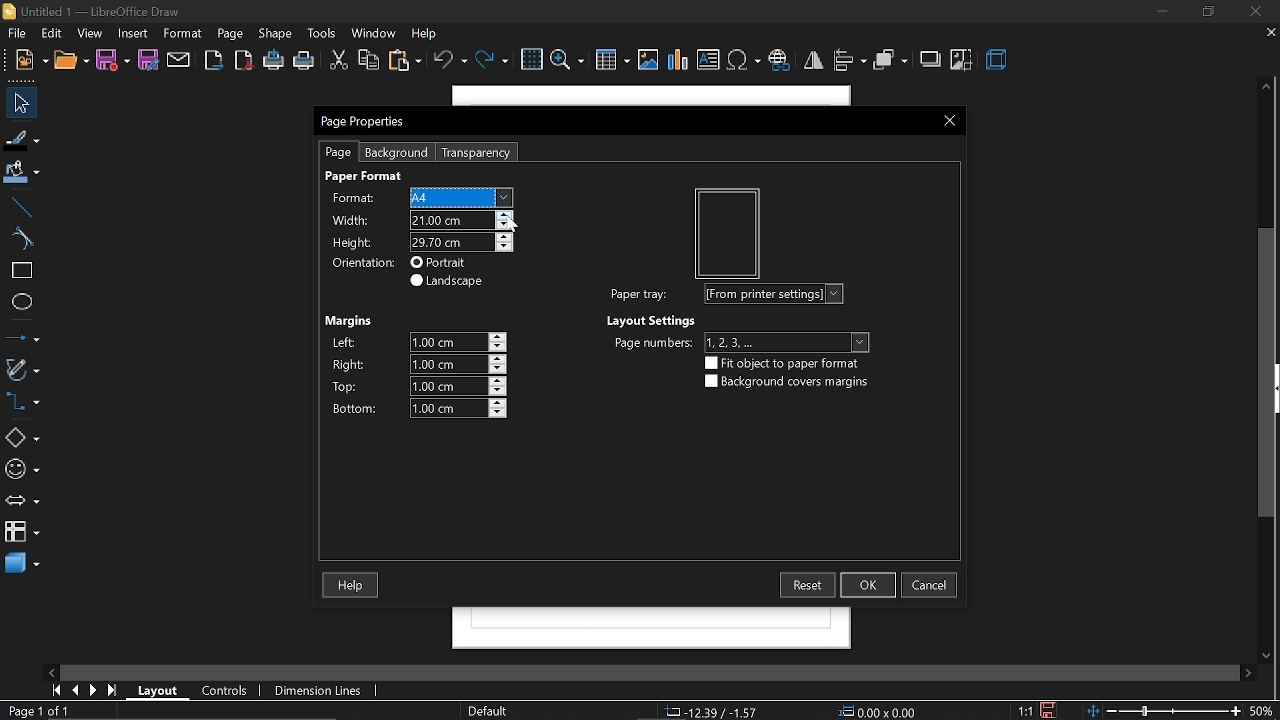 The height and width of the screenshot is (720, 1280). I want to click on landscape, so click(447, 282).